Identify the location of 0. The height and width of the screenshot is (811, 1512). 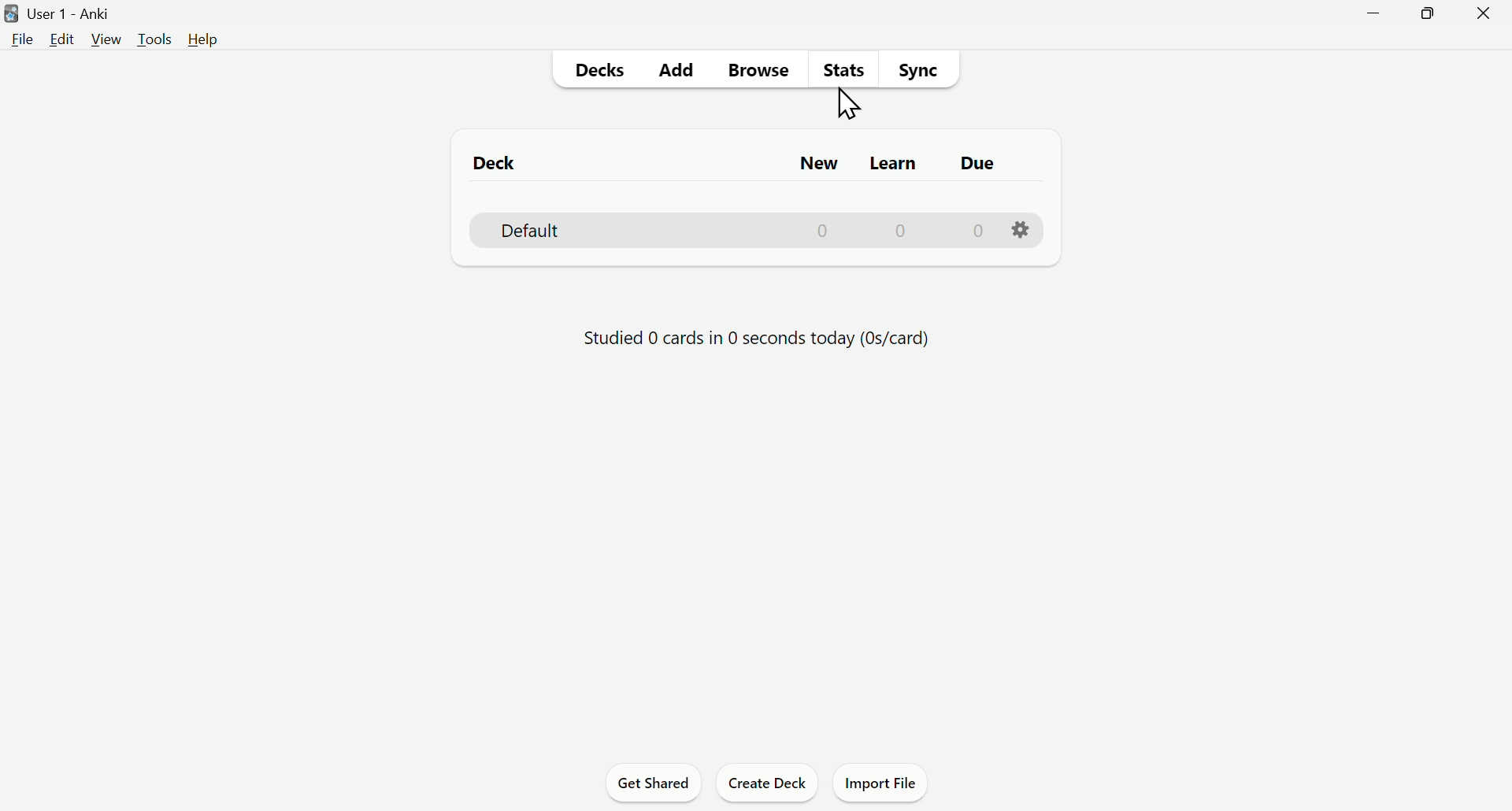
(826, 231).